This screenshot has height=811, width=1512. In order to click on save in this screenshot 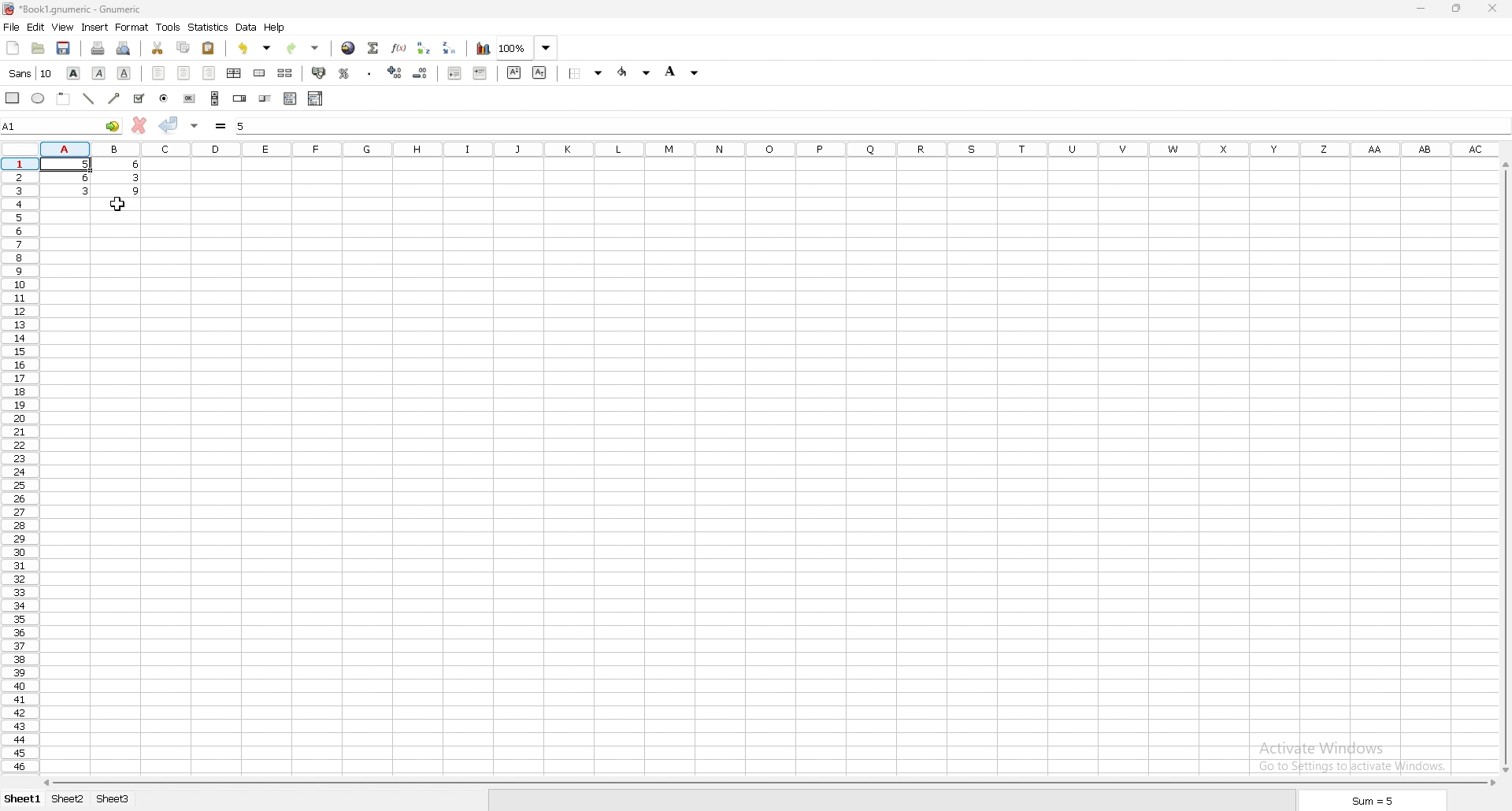, I will do `click(65, 49)`.